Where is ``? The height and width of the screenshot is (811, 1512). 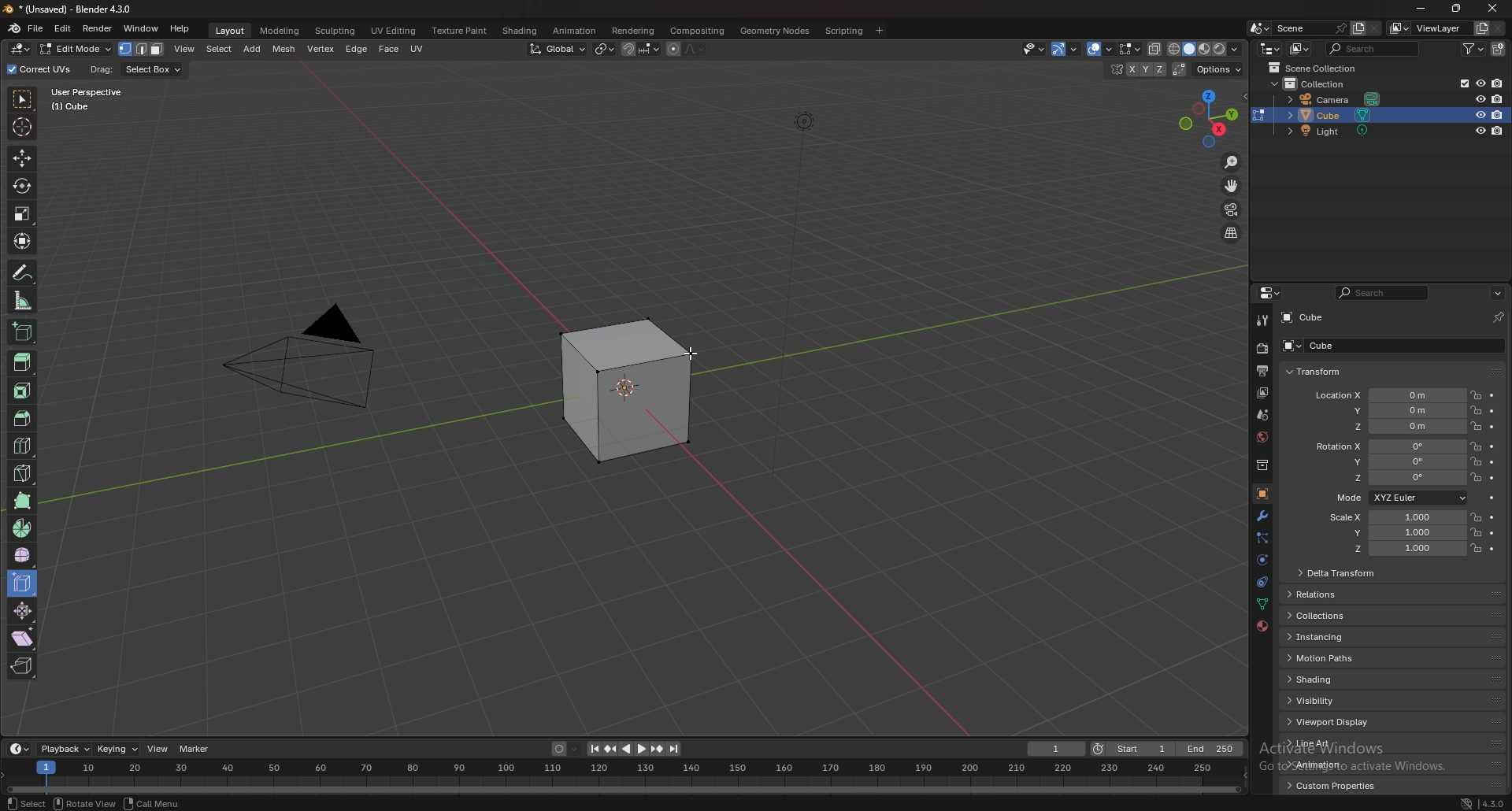  is located at coordinates (1032, 49).